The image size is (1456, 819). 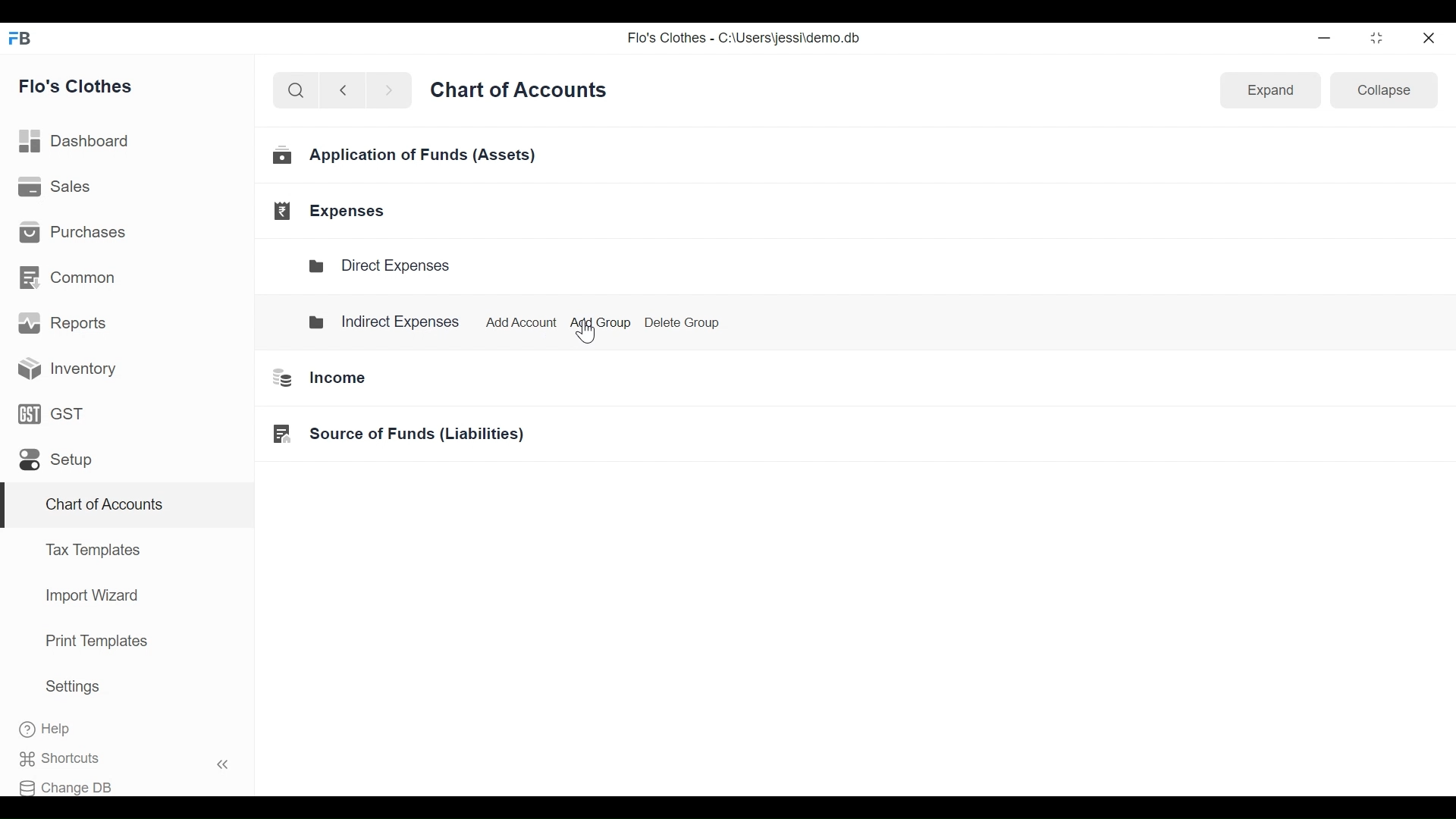 What do you see at coordinates (522, 95) in the screenshot?
I see `Chart of Accounts` at bounding box center [522, 95].